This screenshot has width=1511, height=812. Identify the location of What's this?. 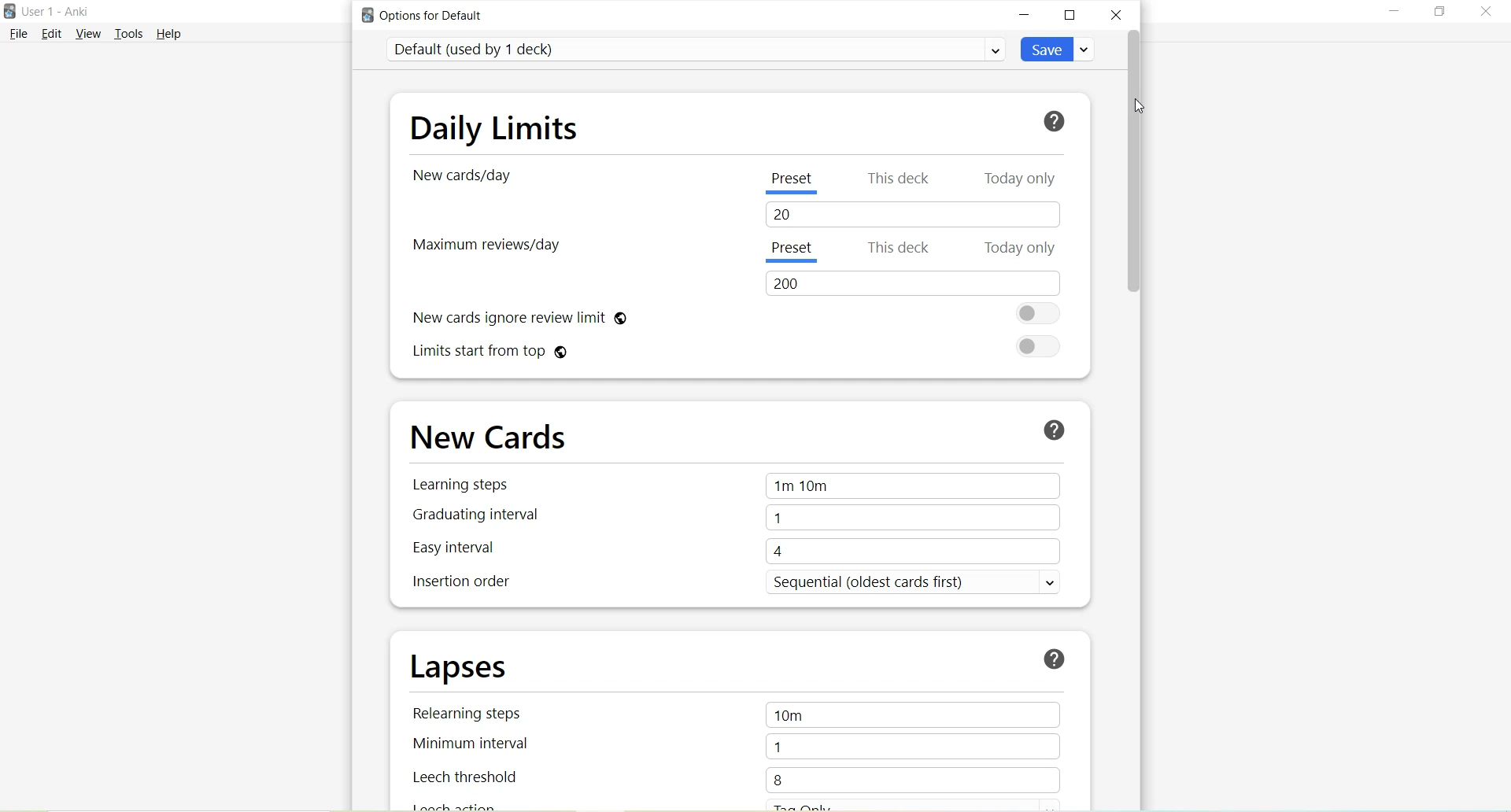
(1056, 122).